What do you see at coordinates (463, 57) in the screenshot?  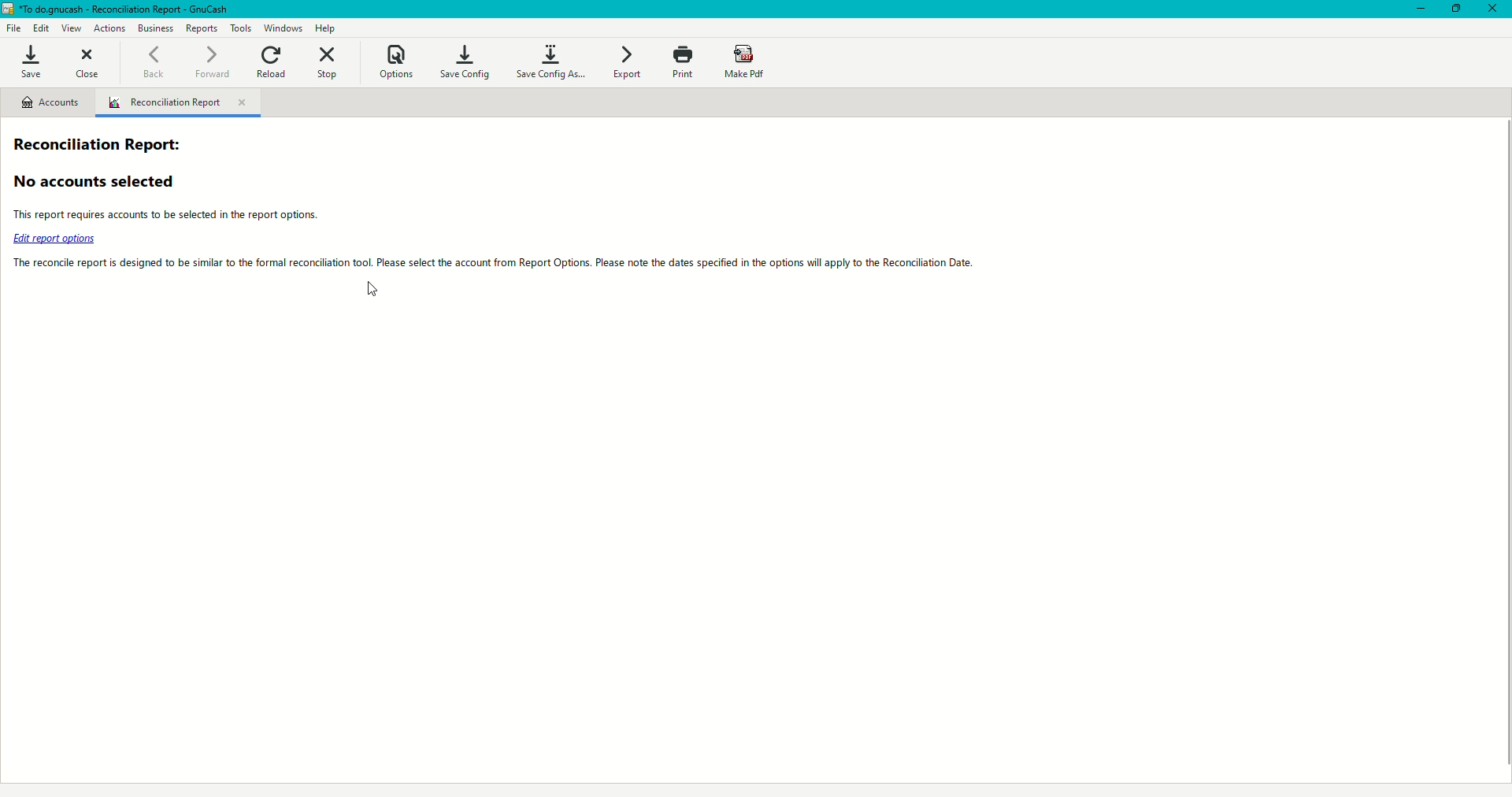 I see `Save Config` at bounding box center [463, 57].